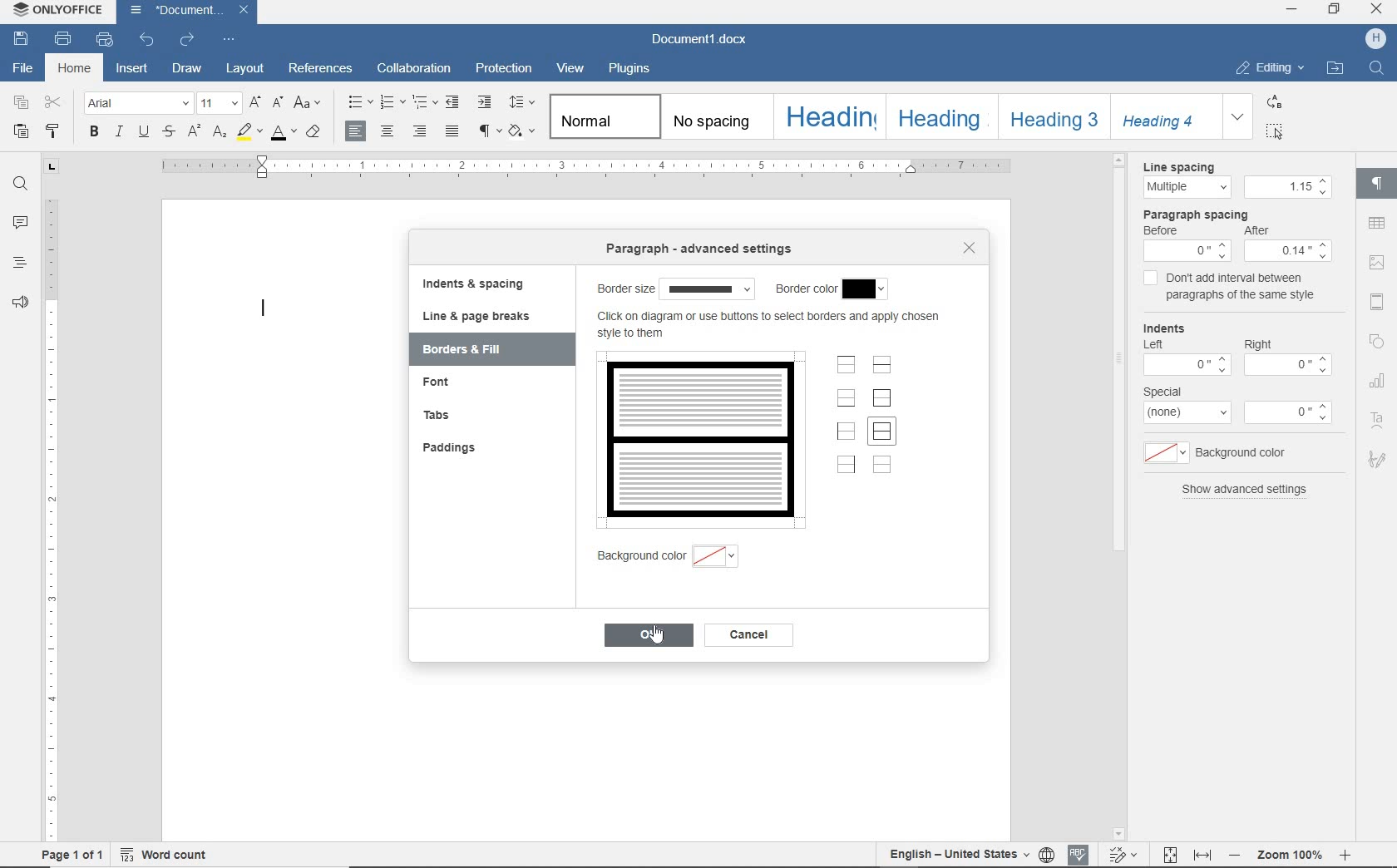  What do you see at coordinates (846, 367) in the screenshot?
I see `set top border only` at bounding box center [846, 367].